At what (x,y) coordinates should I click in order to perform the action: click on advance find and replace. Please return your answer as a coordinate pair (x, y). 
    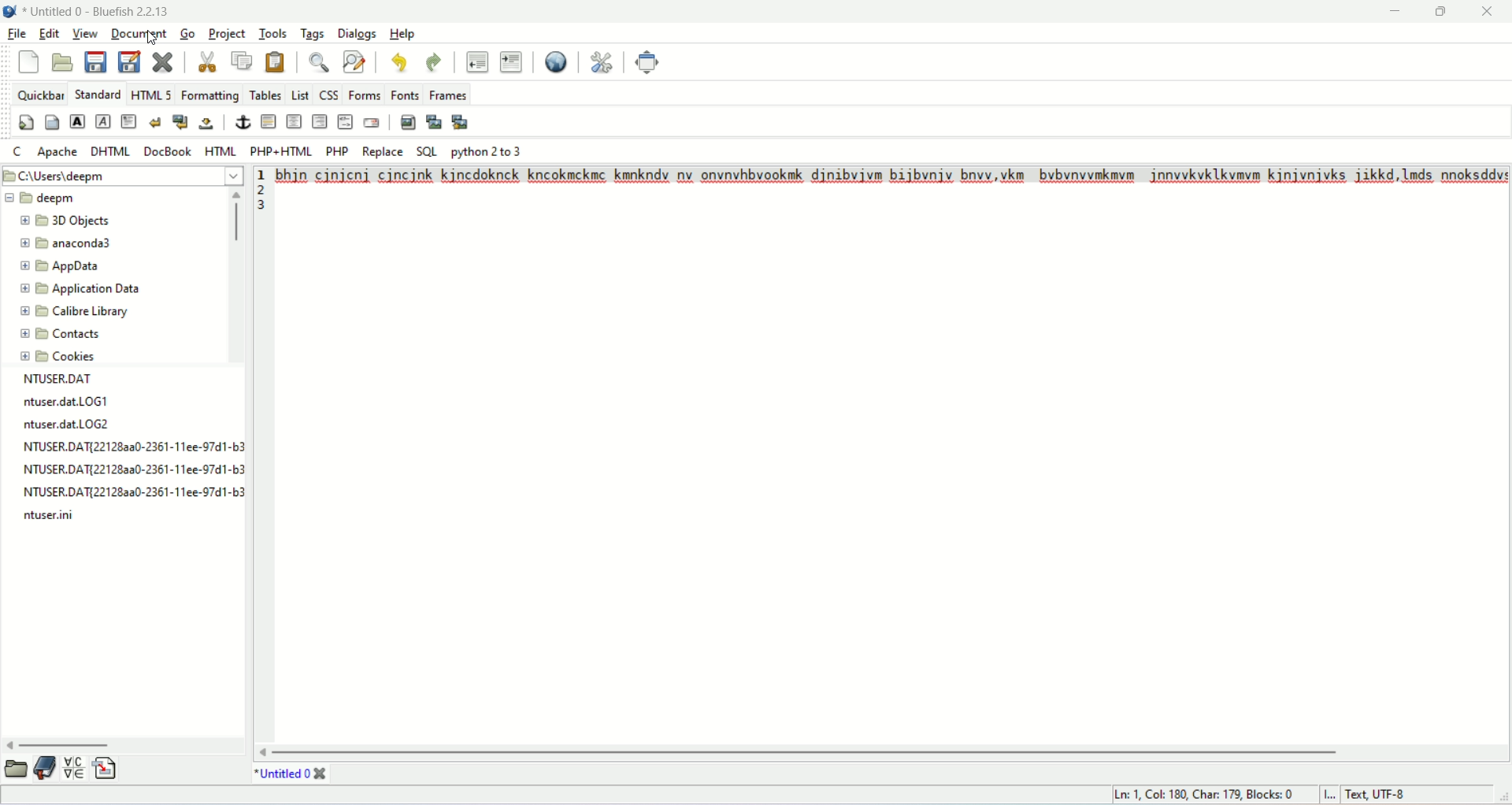
    Looking at the image, I should click on (355, 64).